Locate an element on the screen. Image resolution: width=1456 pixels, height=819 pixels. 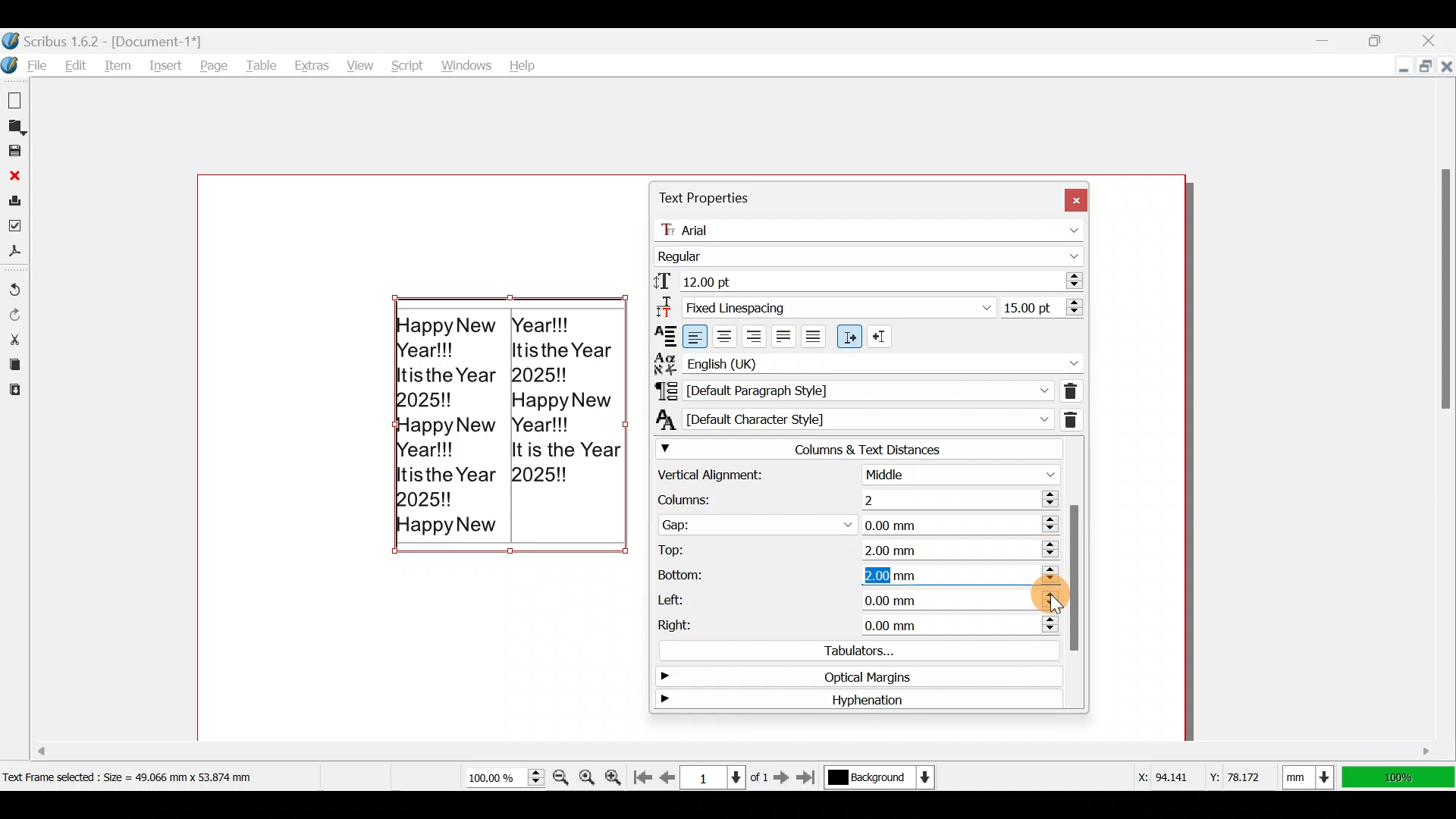
Table is located at coordinates (262, 65).